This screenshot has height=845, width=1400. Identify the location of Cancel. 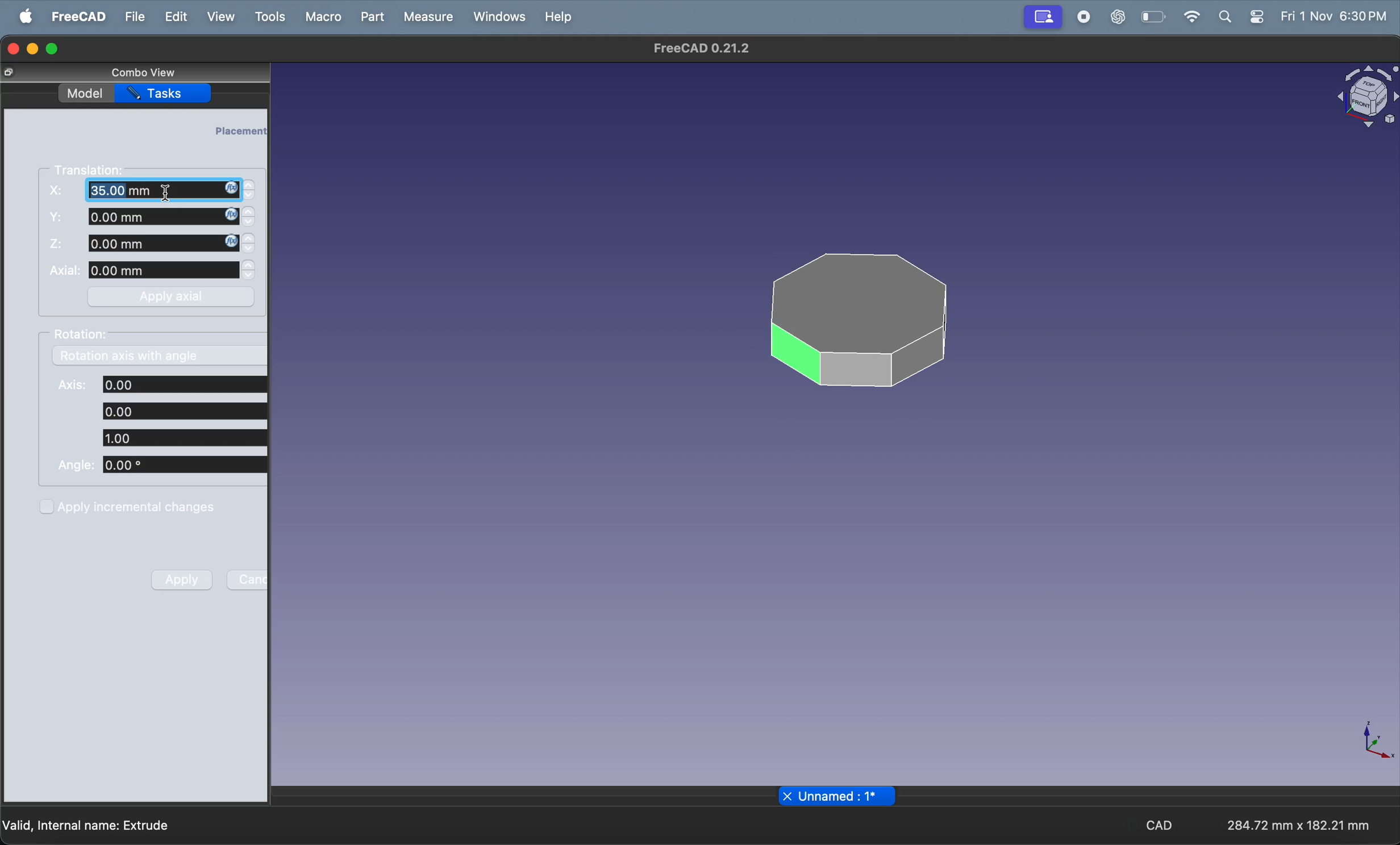
(248, 579).